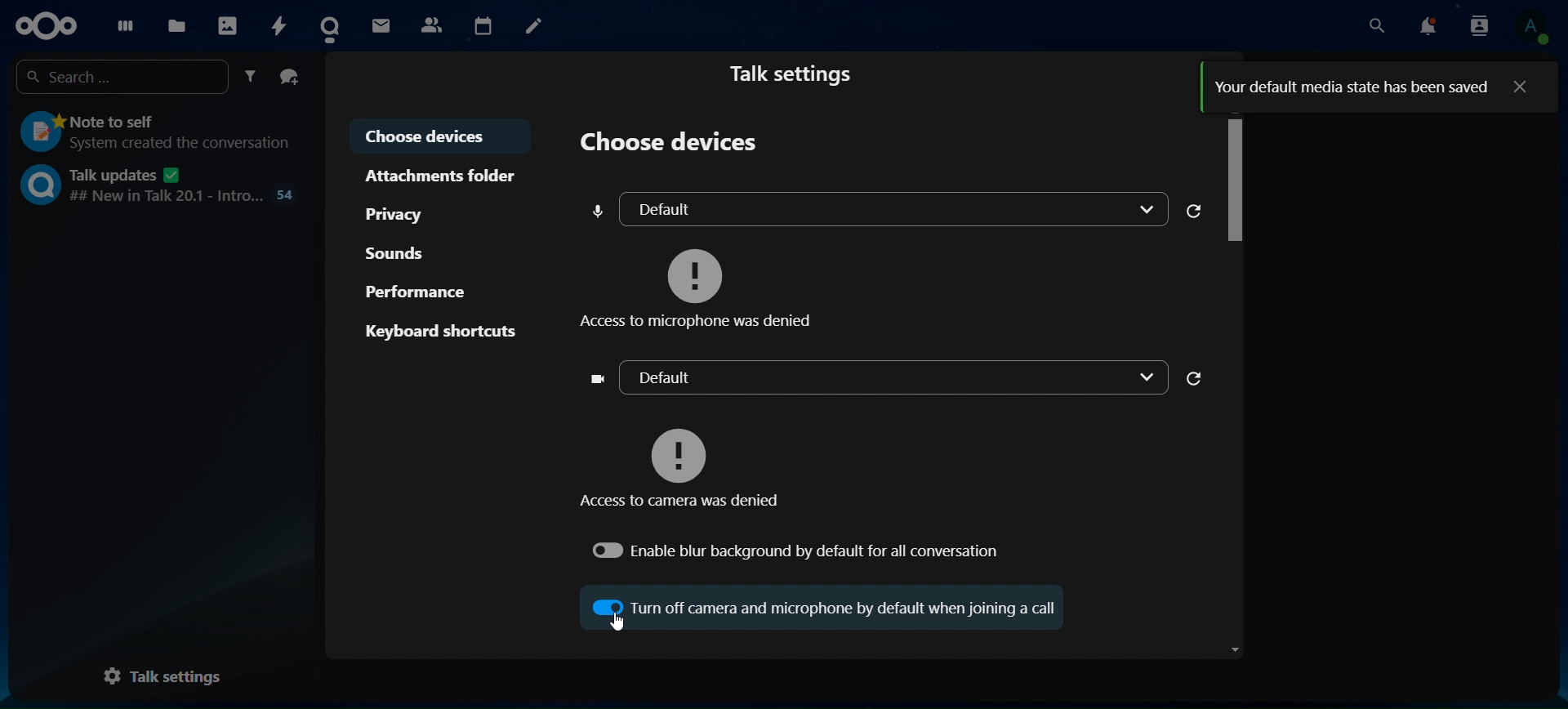 This screenshot has width=1568, height=709. I want to click on refresh, so click(1200, 210).